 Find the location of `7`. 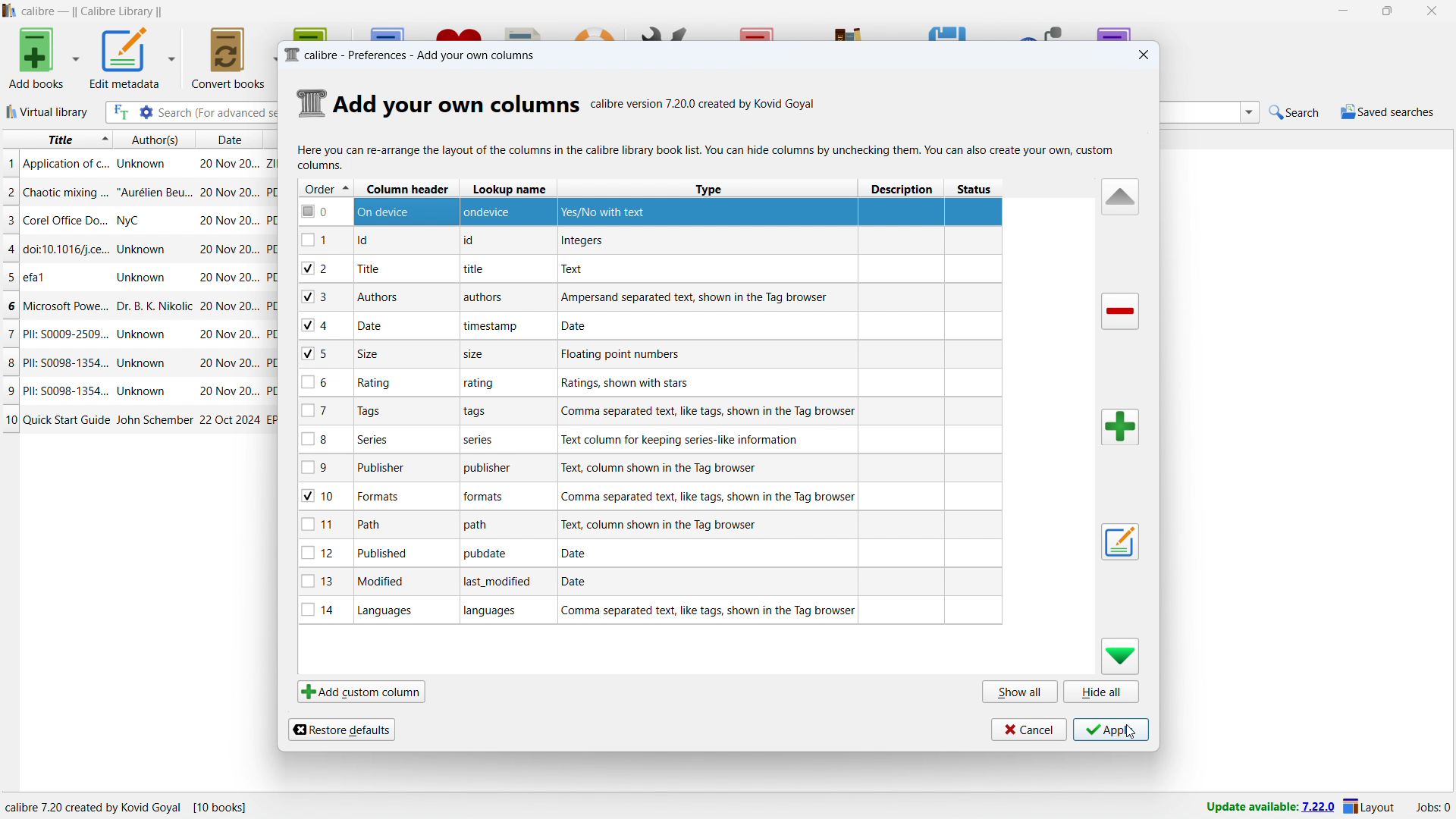

7 is located at coordinates (9, 334).